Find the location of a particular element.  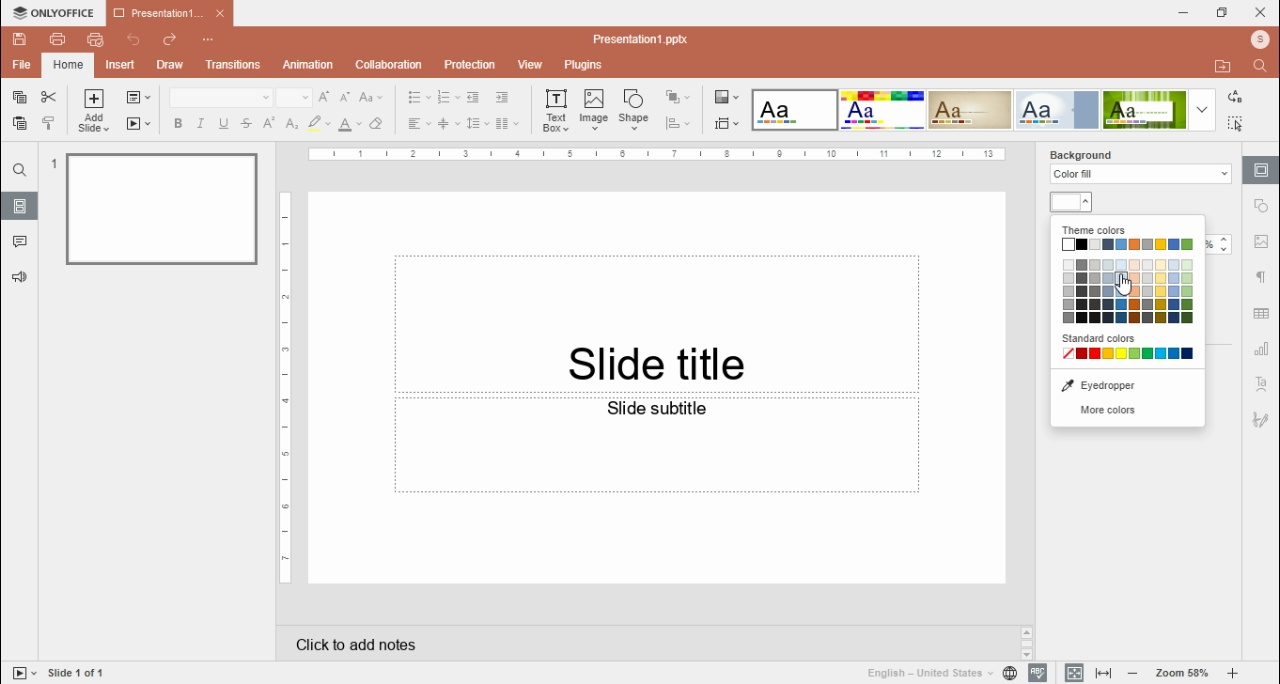

theme 1 is located at coordinates (792, 110).